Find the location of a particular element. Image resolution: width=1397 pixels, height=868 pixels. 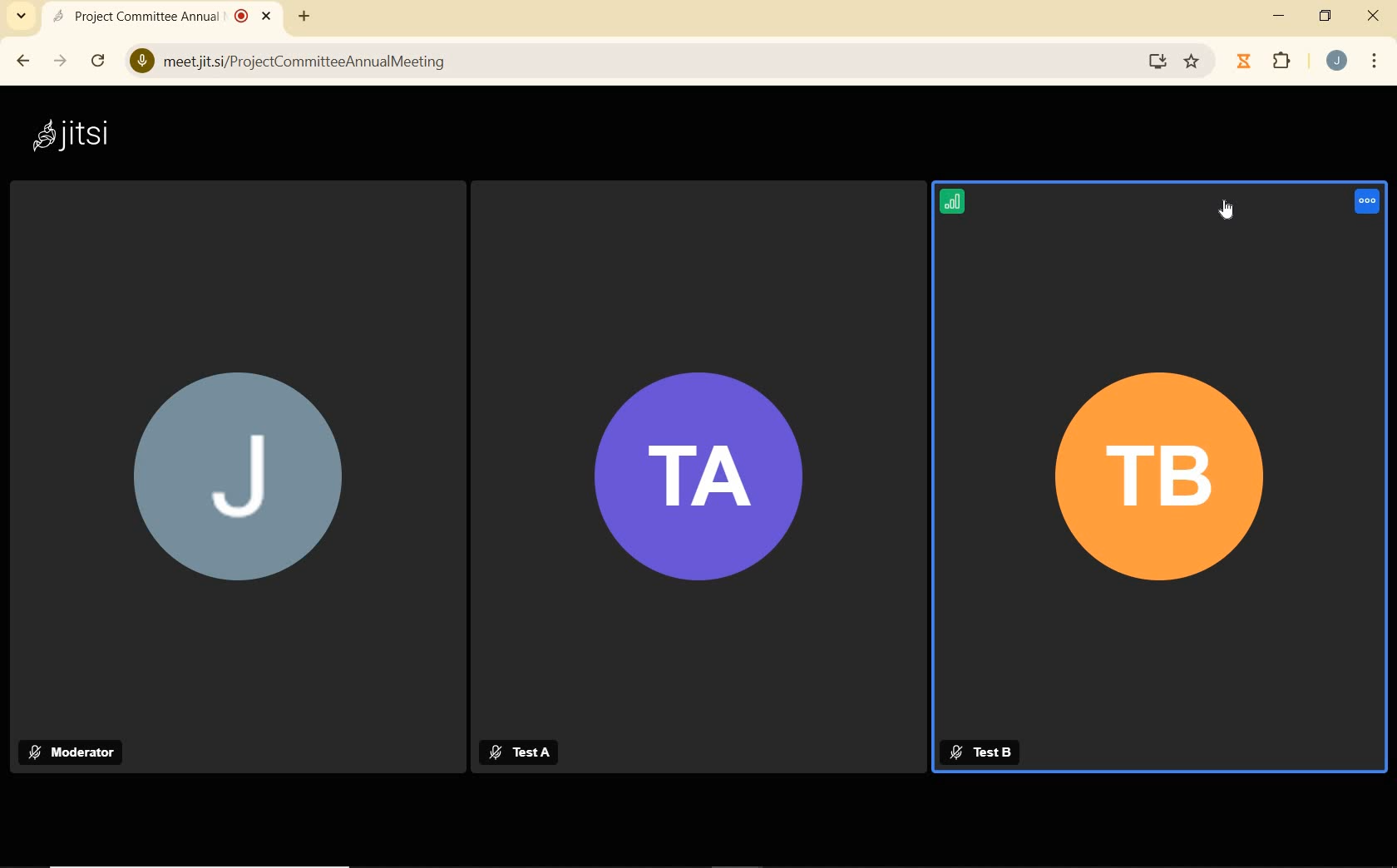

BACK is located at coordinates (21, 63).